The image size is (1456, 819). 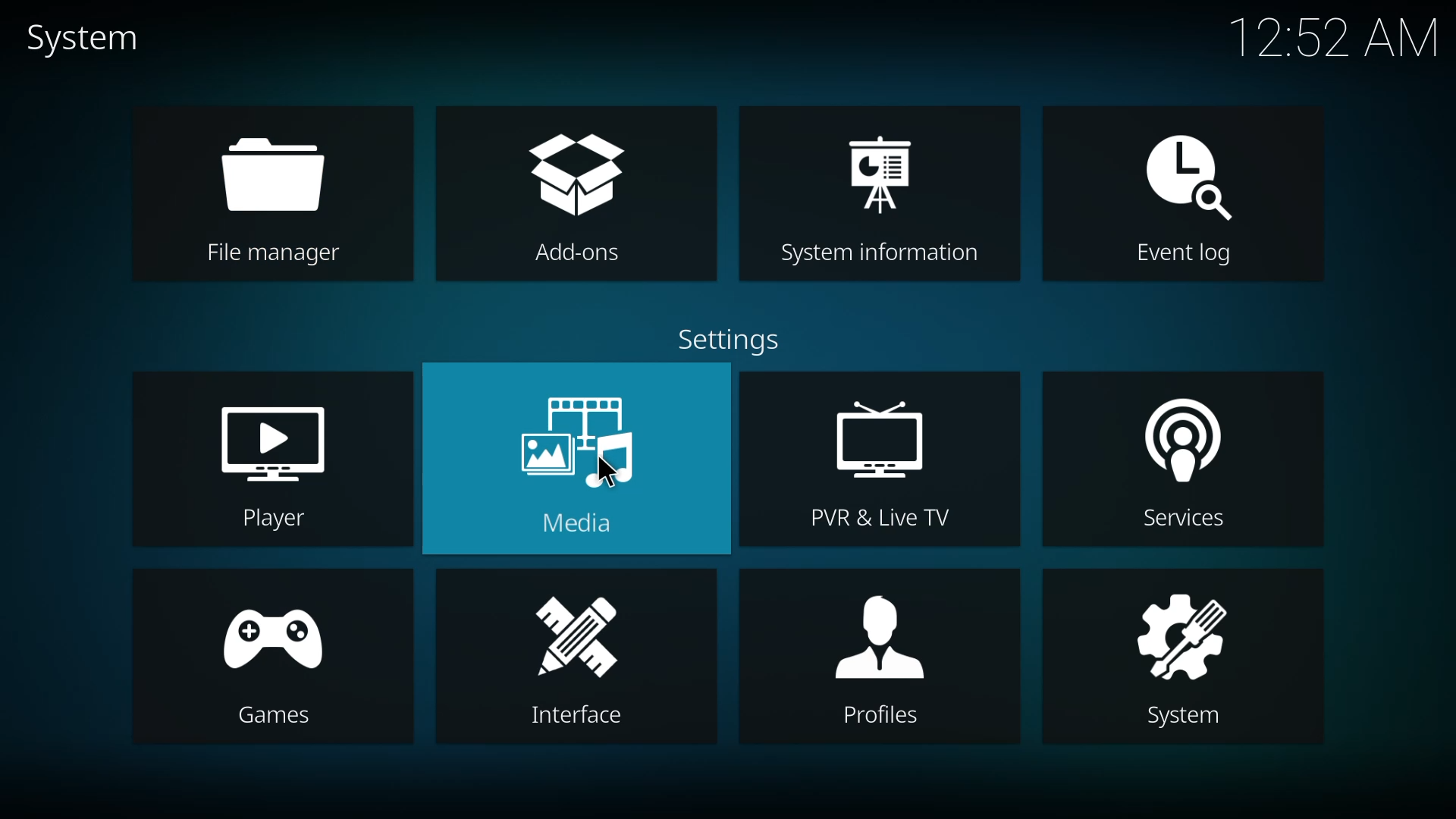 What do you see at coordinates (91, 38) in the screenshot?
I see `system` at bounding box center [91, 38].